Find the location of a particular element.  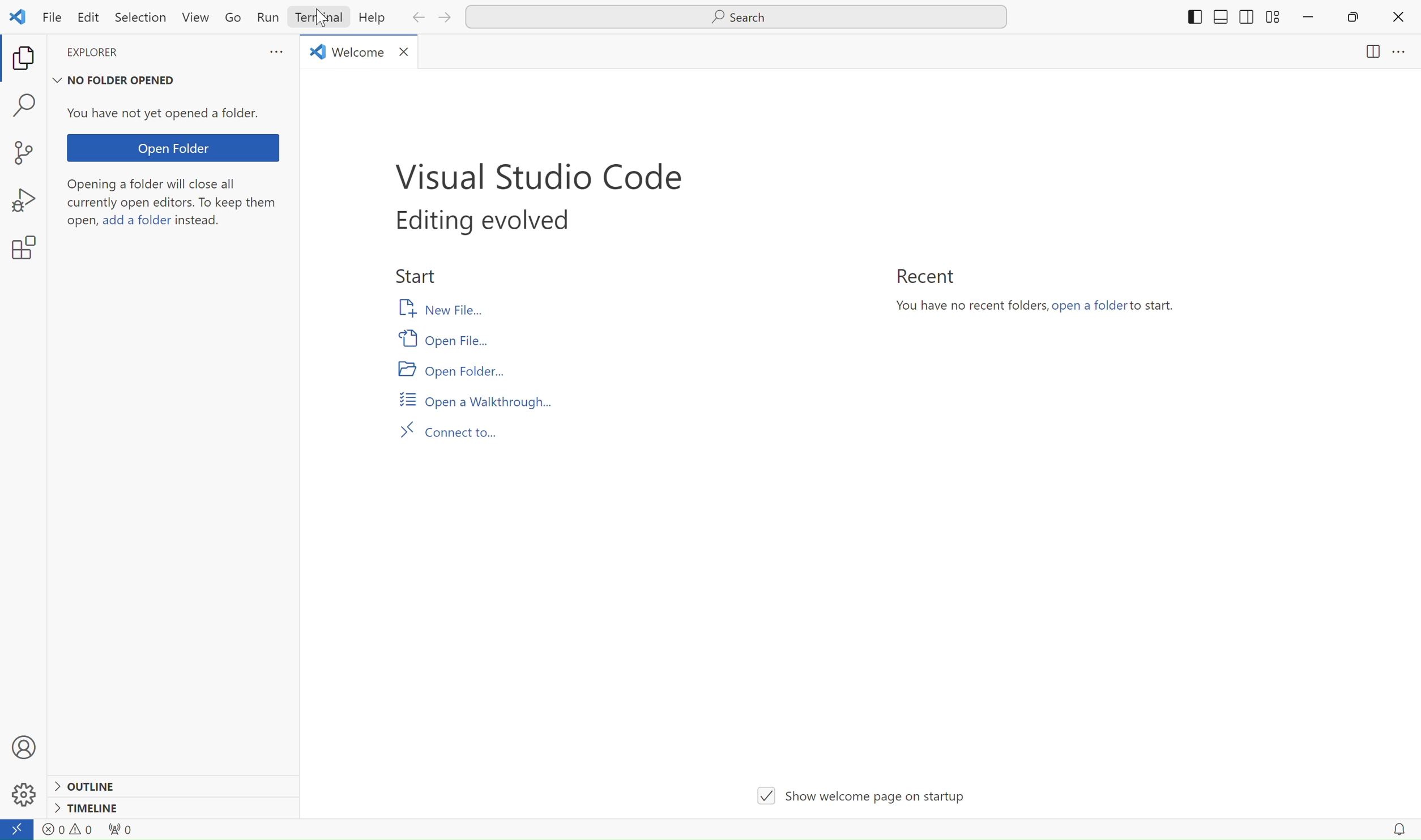

back is located at coordinates (415, 18).